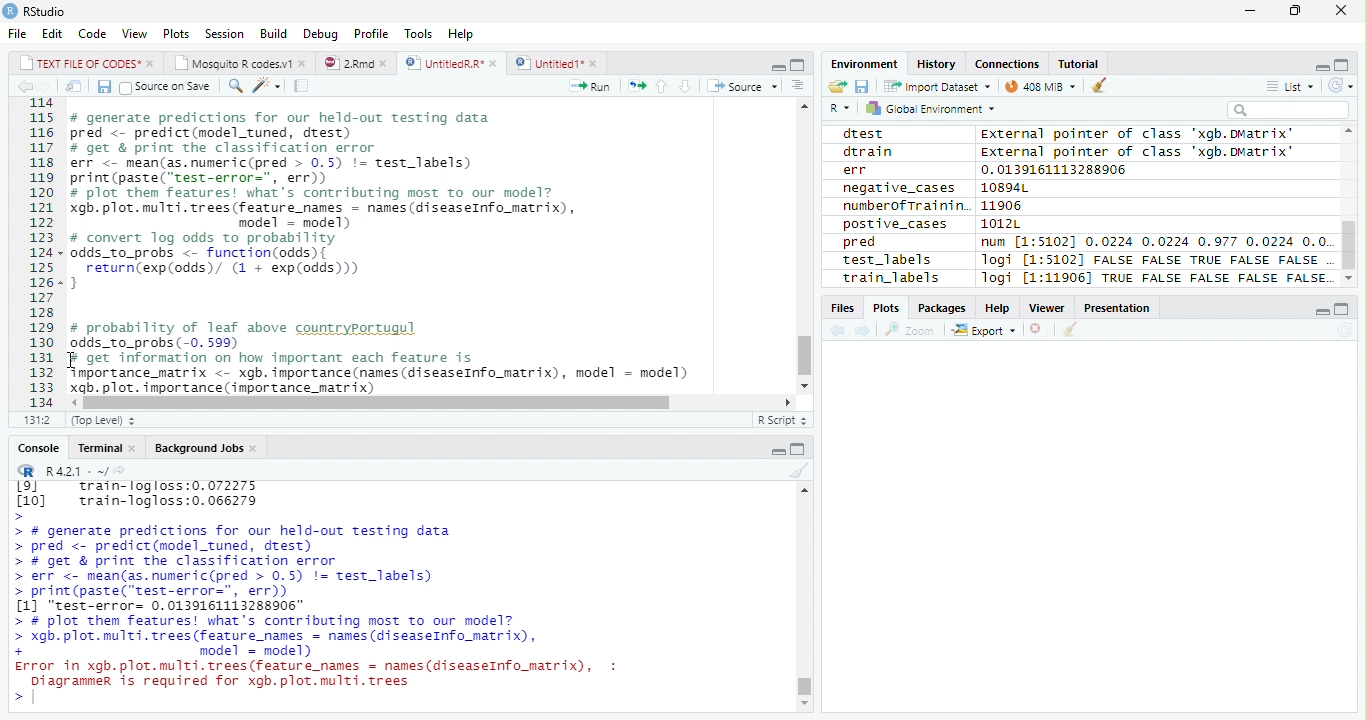  I want to click on Cursor, so click(73, 361).